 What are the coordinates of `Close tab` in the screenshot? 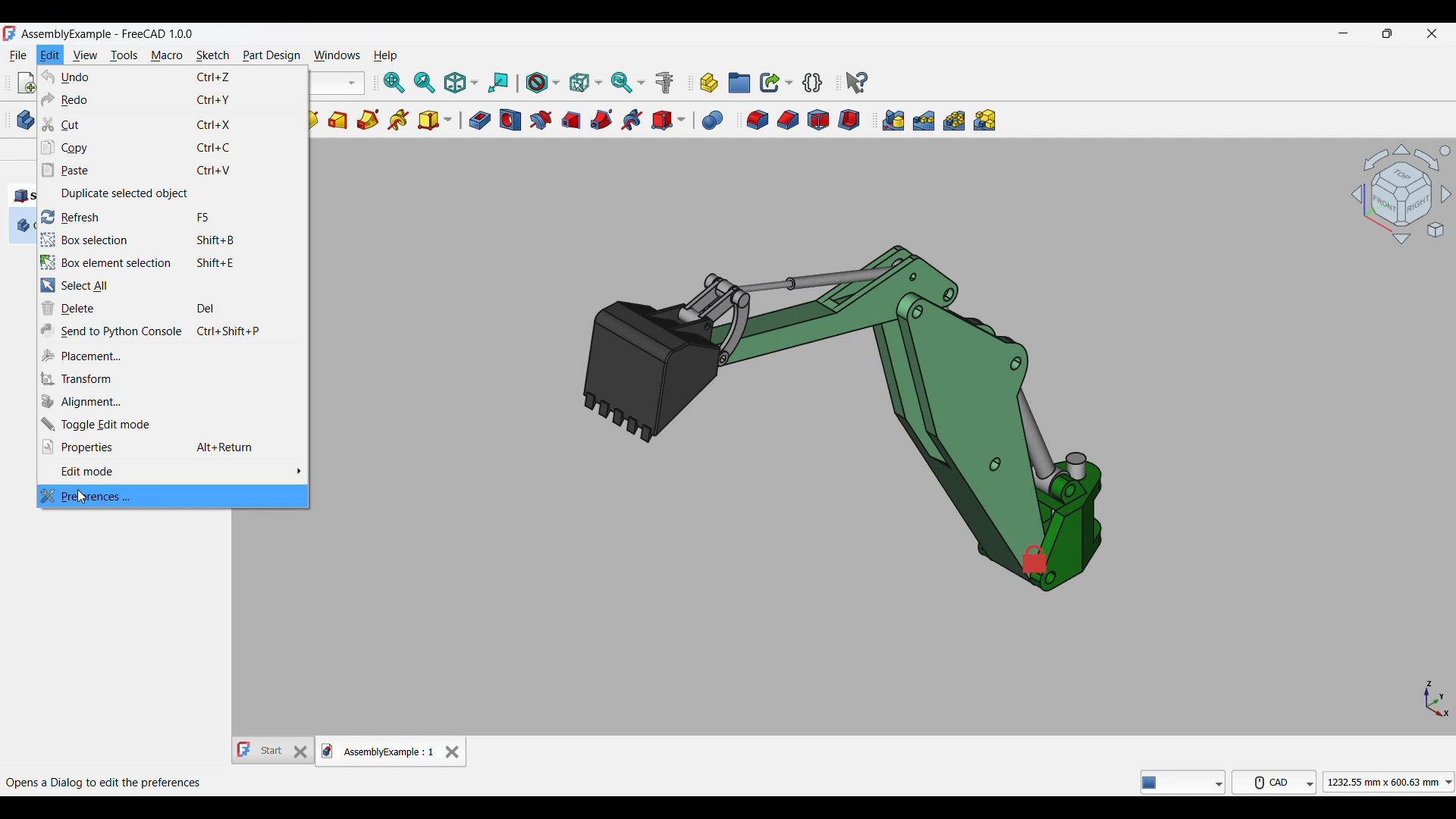 It's located at (453, 752).